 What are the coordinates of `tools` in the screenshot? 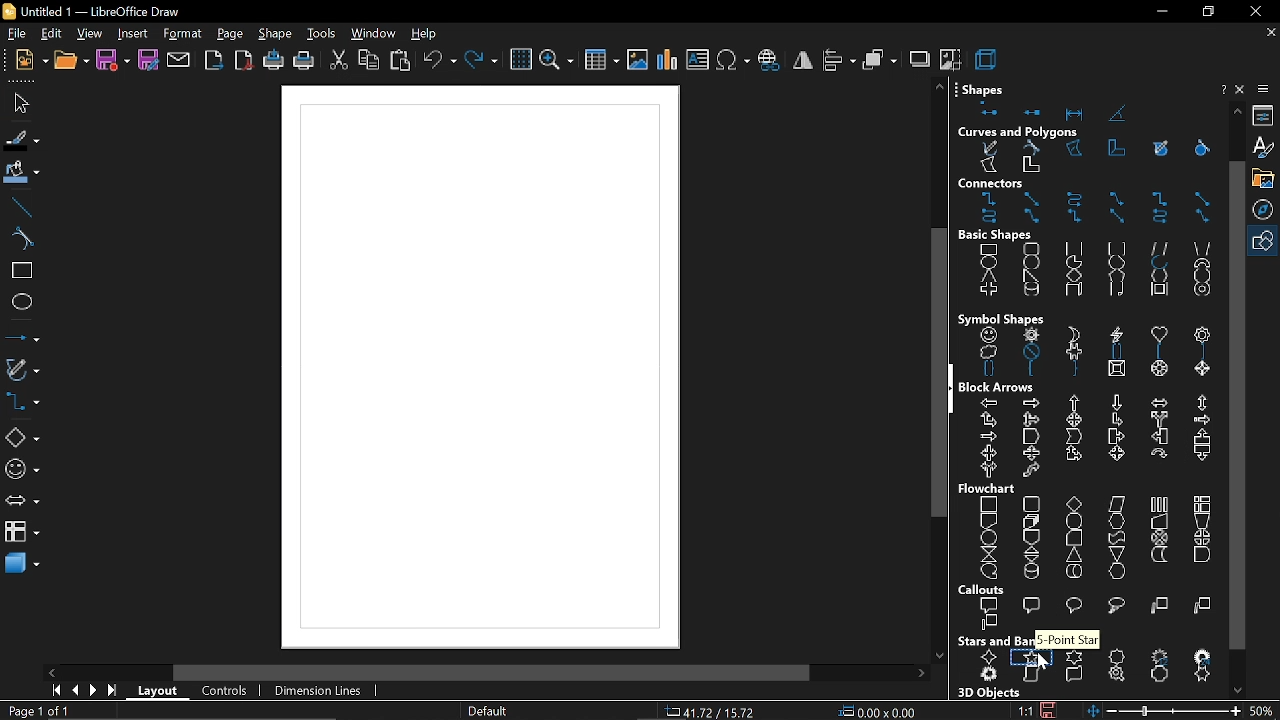 It's located at (320, 34).